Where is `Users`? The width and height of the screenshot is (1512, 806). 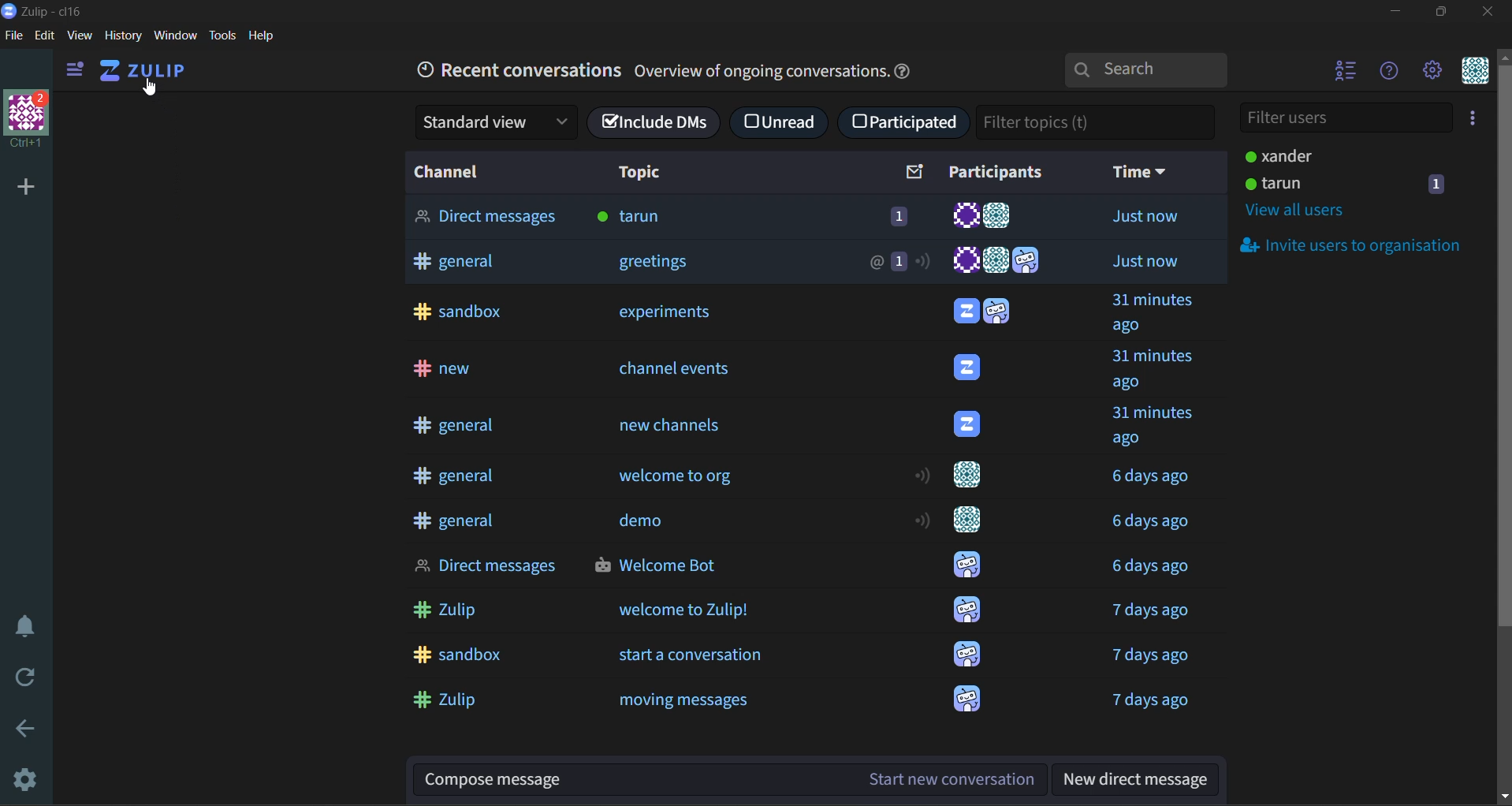 Users is located at coordinates (989, 216).